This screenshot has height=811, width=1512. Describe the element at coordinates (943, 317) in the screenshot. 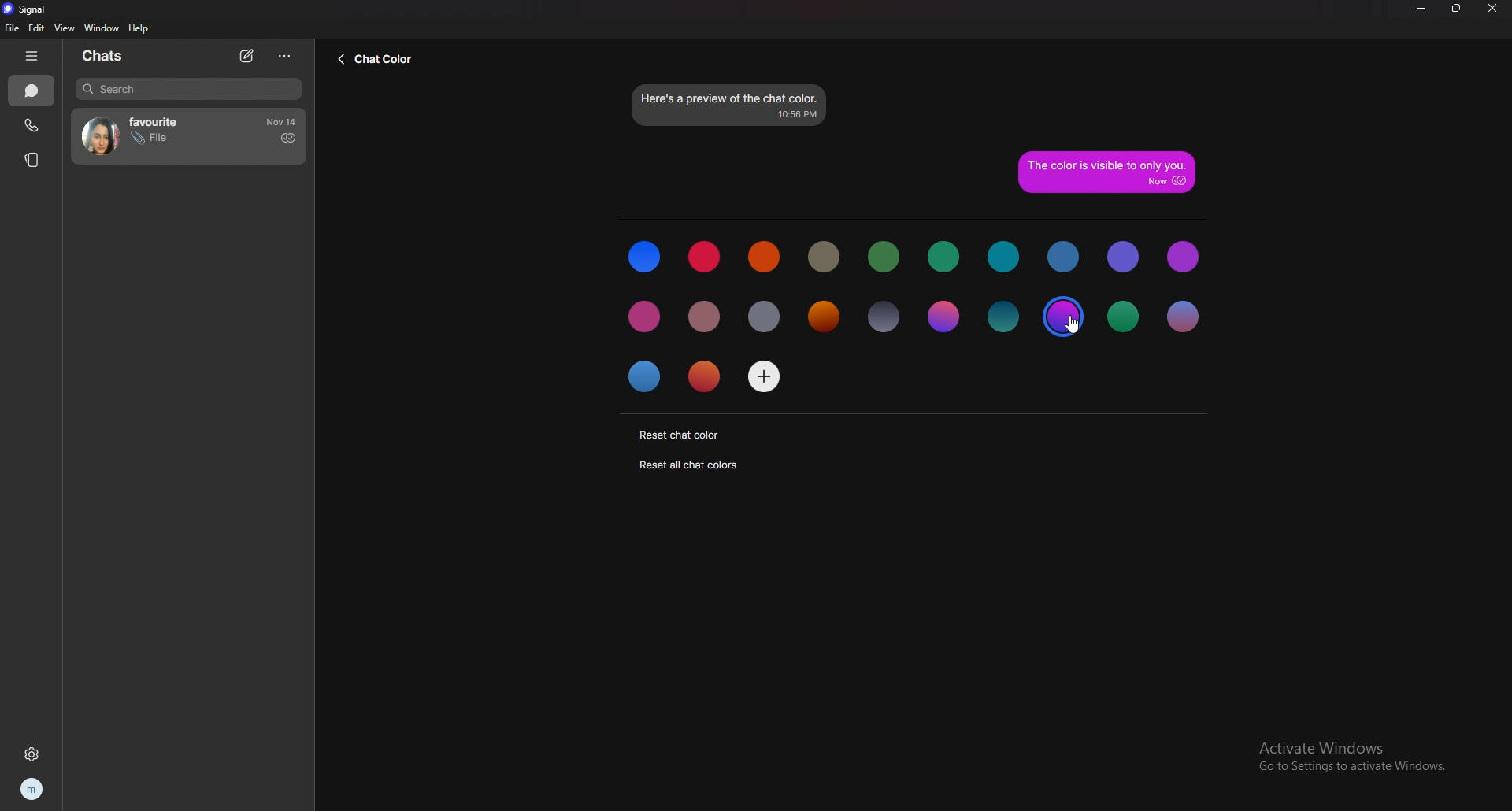

I see `color` at that location.